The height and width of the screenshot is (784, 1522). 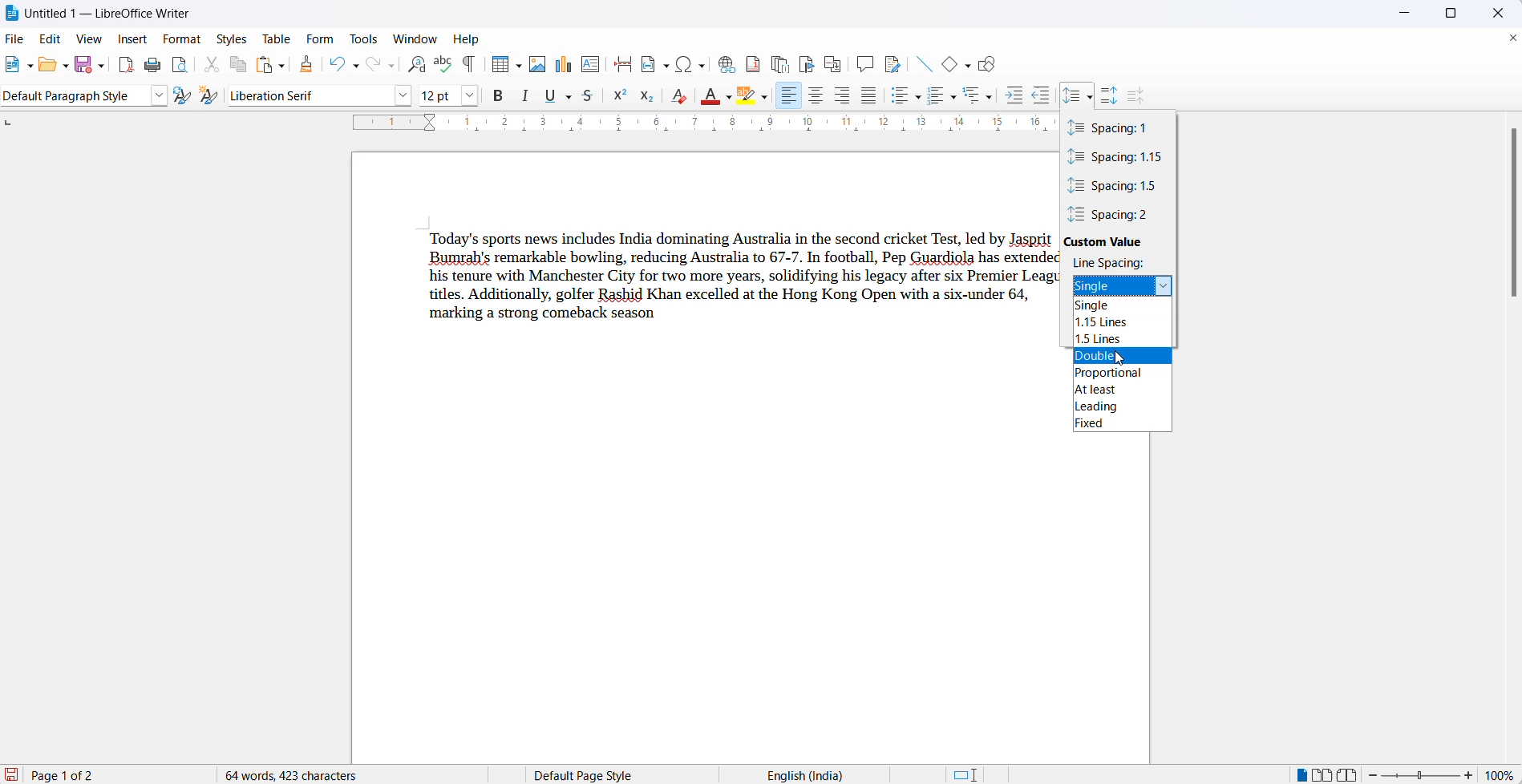 I want to click on print, so click(x=154, y=63).